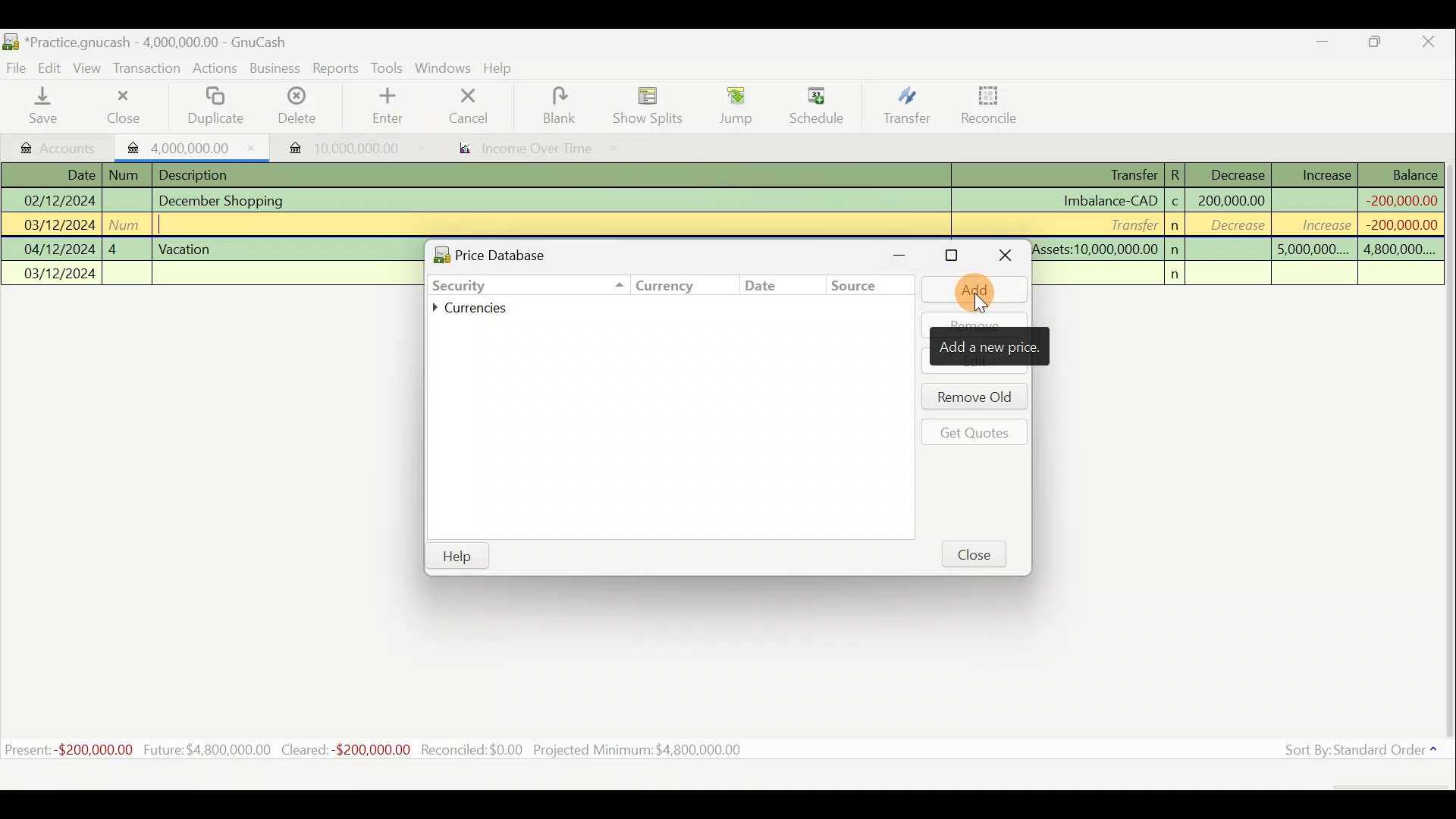 Image resolution: width=1456 pixels, height=819 pixels. What do you see at coordinates (570, 105) in the screenshot?
I see `blank` at bounding box center [570, 105].